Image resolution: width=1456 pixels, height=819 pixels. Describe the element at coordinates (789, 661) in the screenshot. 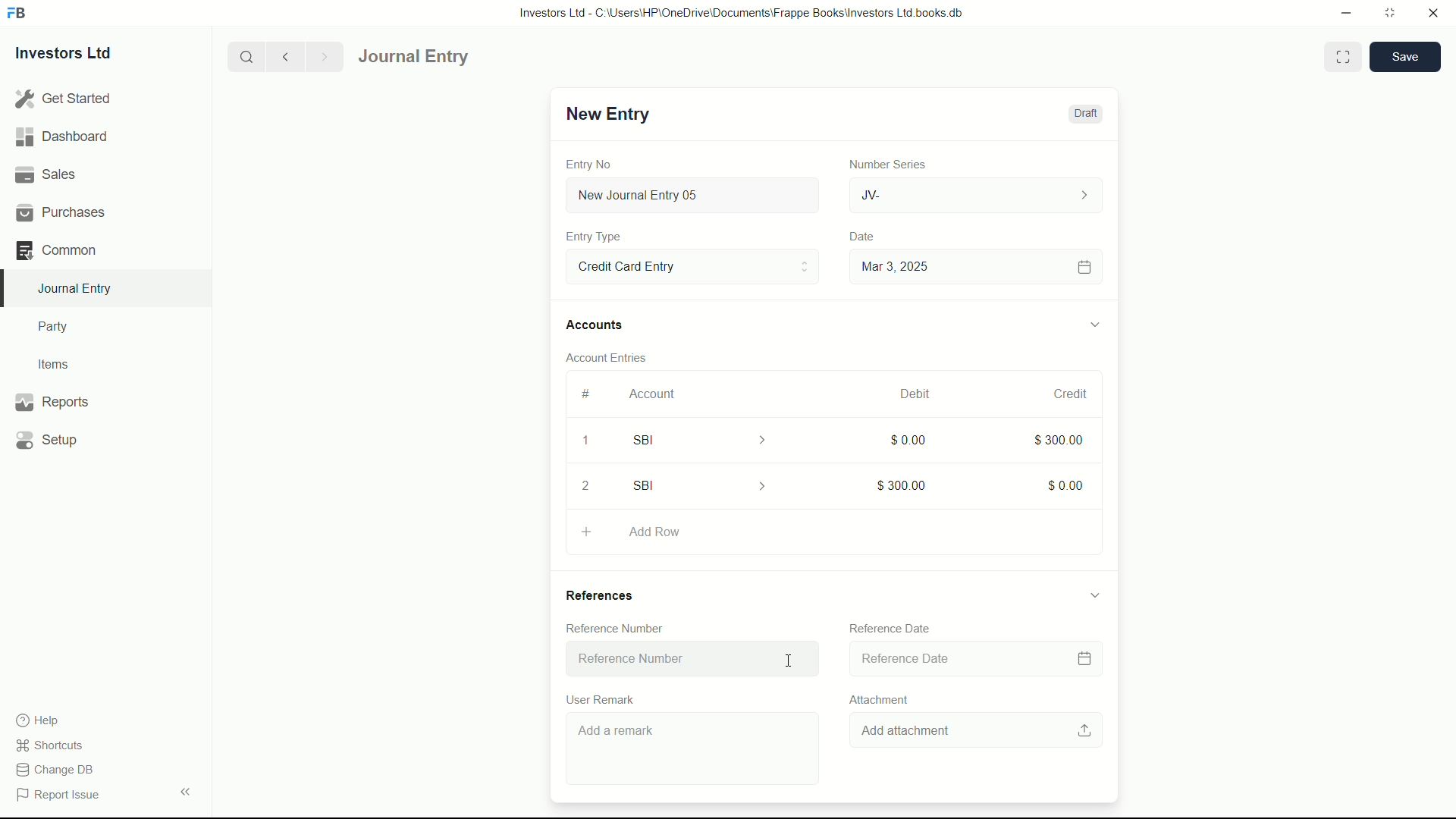

I see `cursor` at that location.